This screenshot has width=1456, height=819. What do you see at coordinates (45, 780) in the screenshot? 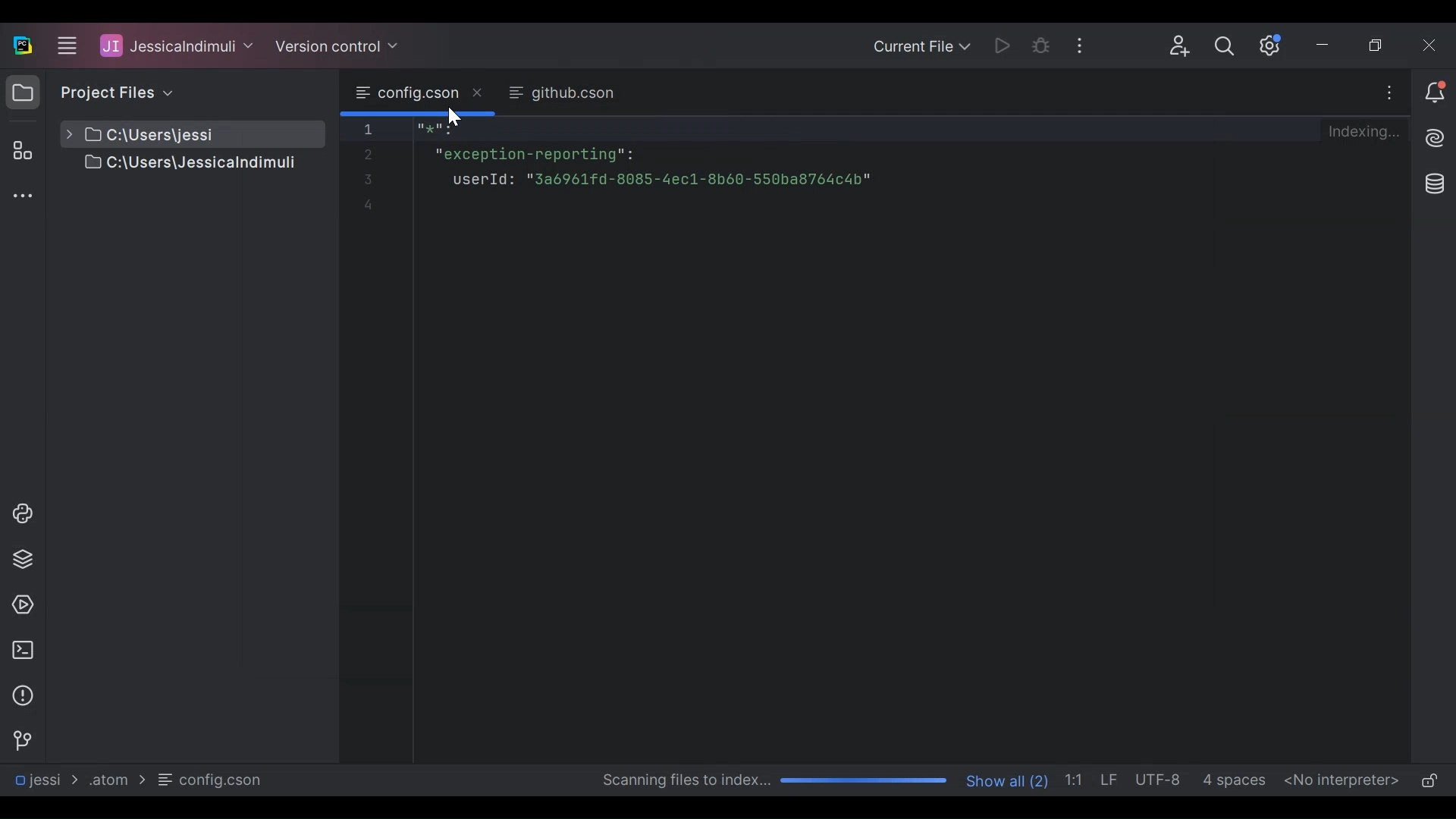
I see `Project File Path` at bounding box center [45, 780].